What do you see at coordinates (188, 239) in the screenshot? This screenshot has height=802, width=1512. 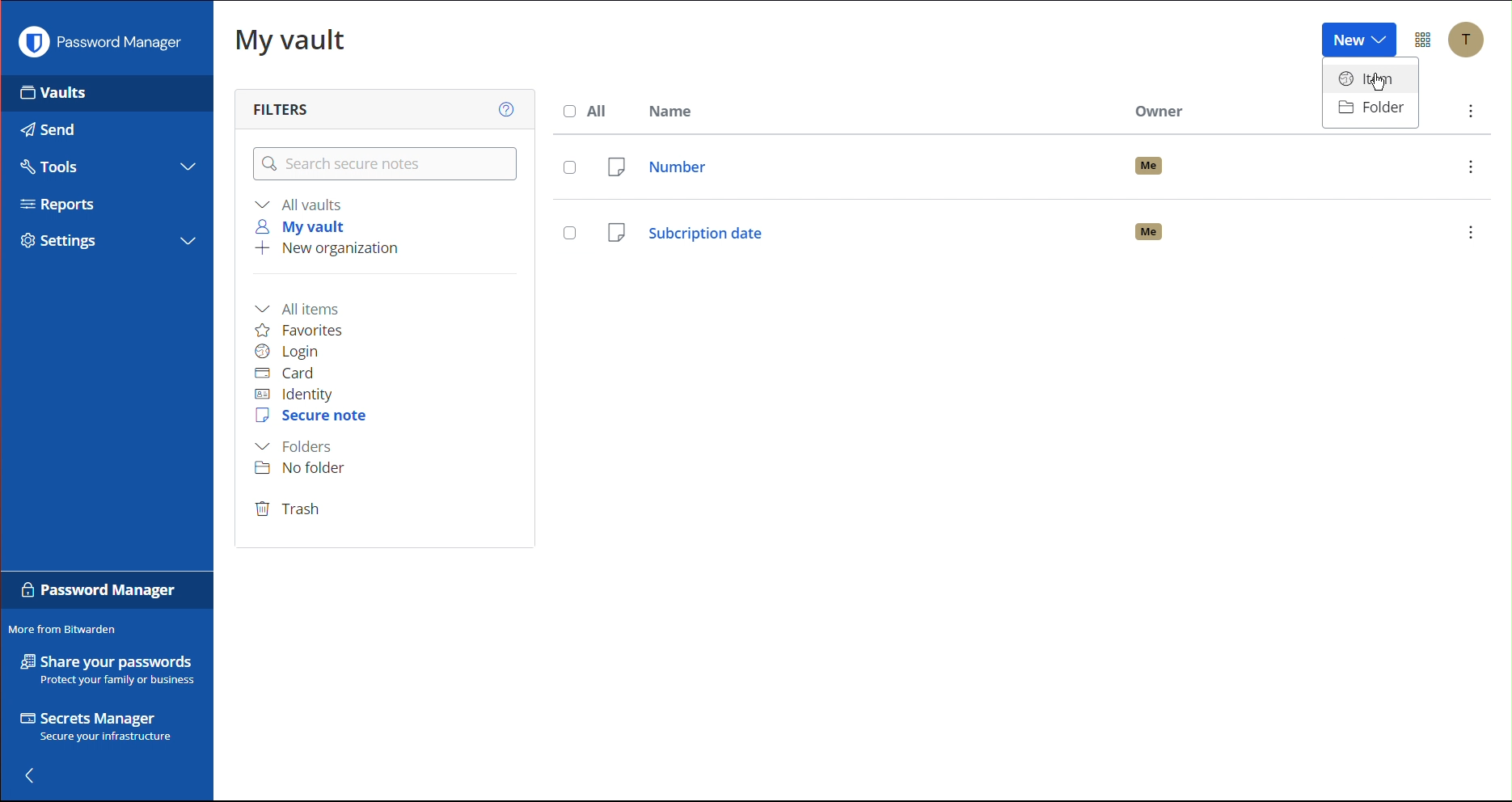 I see `expand/collapse` at bounding box center [188, 239].